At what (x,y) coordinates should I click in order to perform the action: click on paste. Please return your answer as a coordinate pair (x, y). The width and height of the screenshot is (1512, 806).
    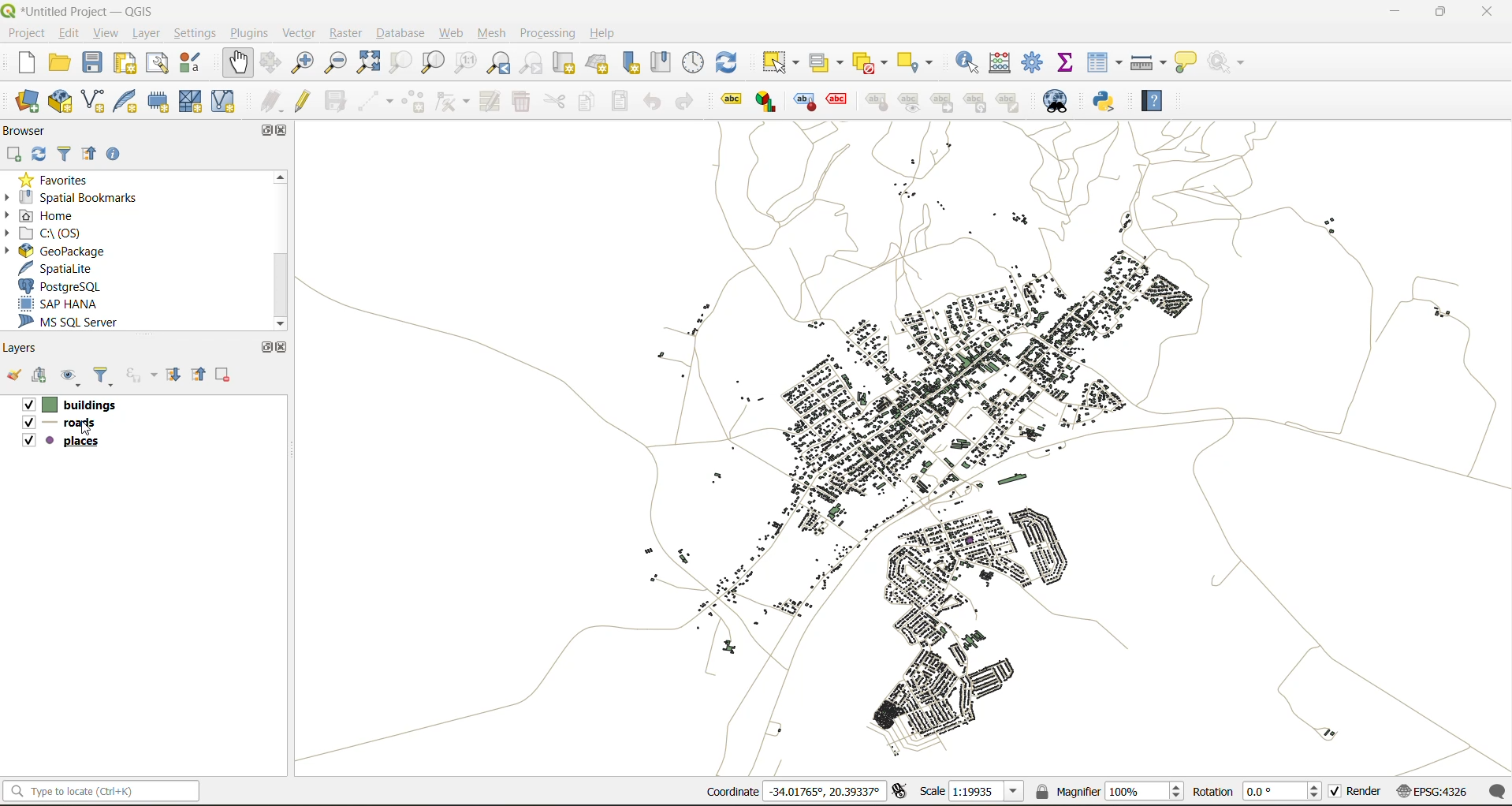
    Looking at the image, I should click on (619, 103).